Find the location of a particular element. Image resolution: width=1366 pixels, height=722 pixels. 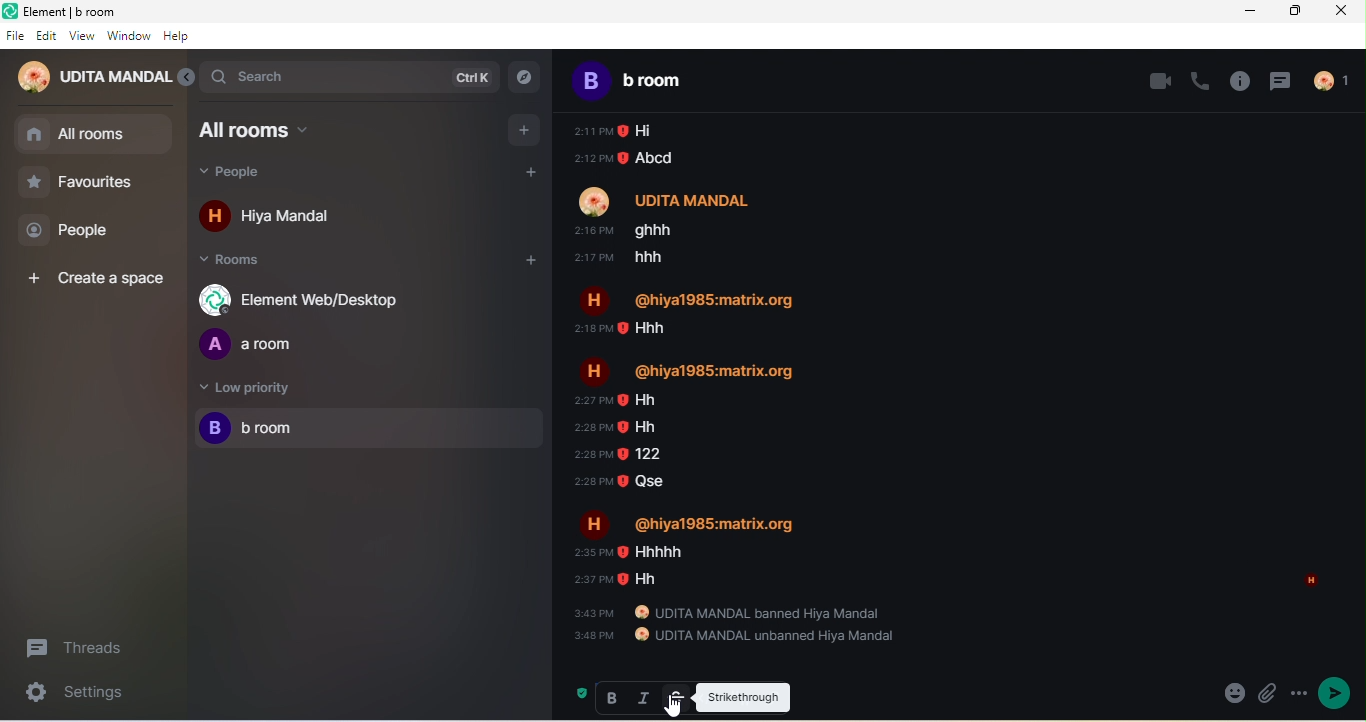

edit is located at coordinates (47, 35).